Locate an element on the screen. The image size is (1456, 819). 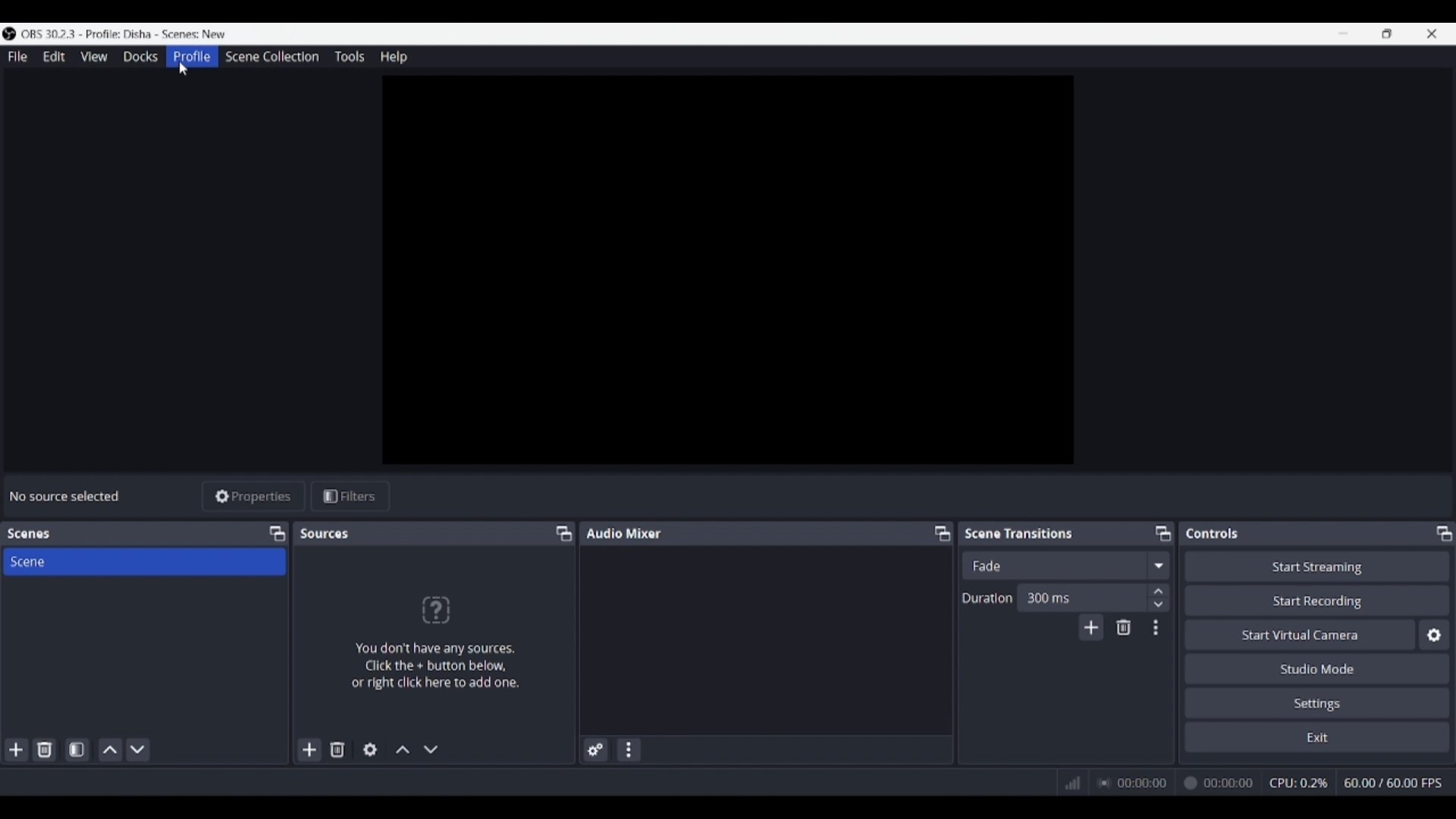
Delete selected scene is located at coordinates (44, 749).